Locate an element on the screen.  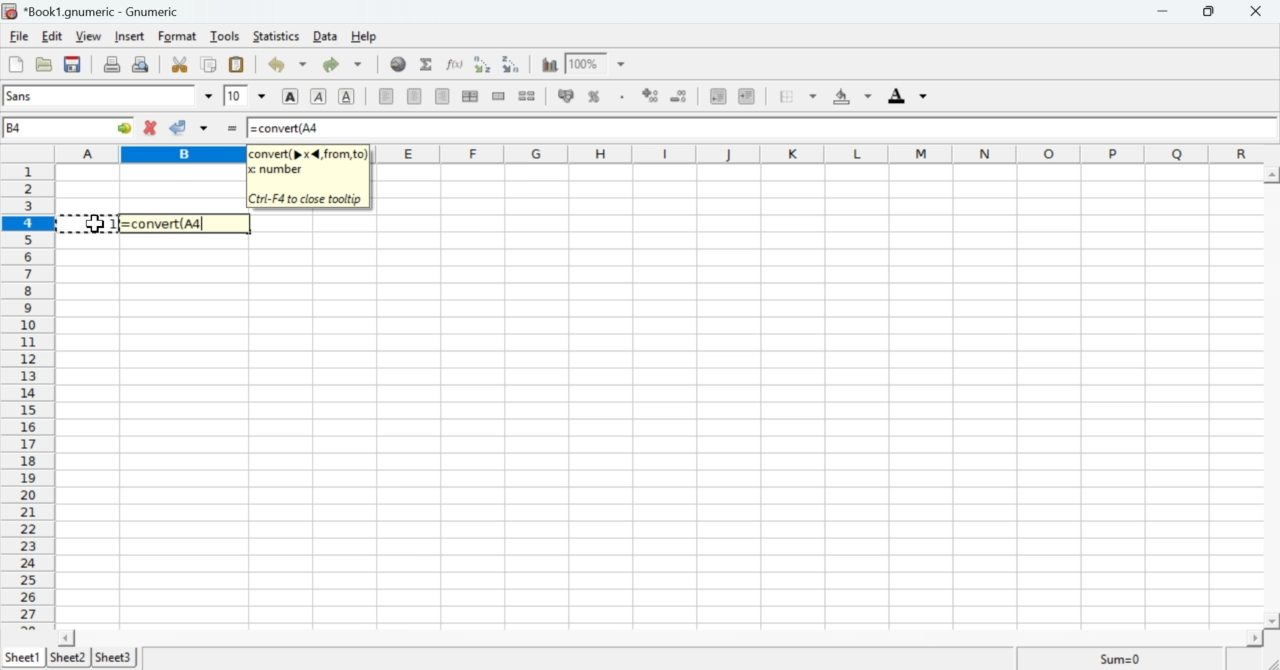
Merge a range of cells is located at coordinates (498, 96).